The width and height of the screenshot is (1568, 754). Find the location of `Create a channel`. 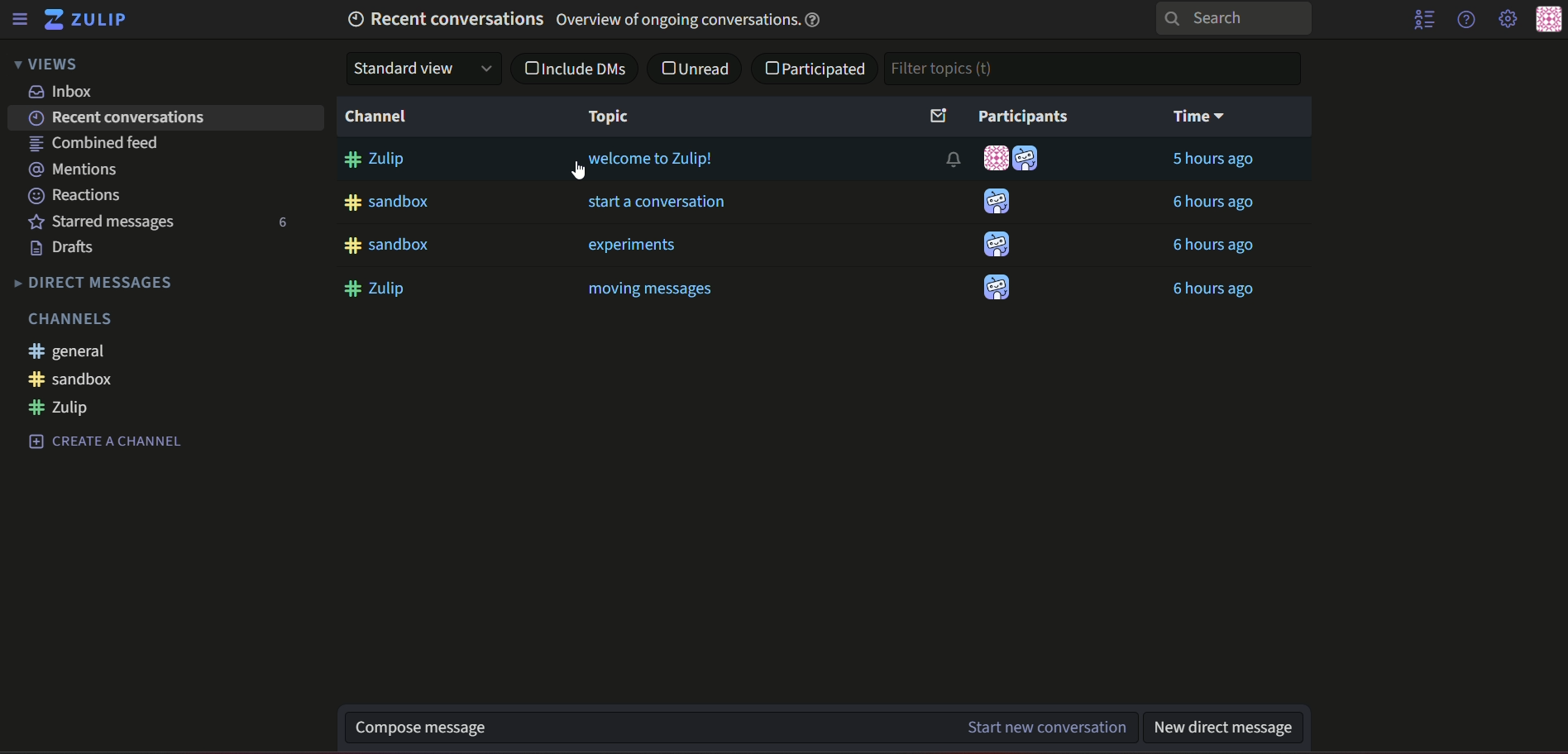

Create a channel is located at coordinates (106, 442).